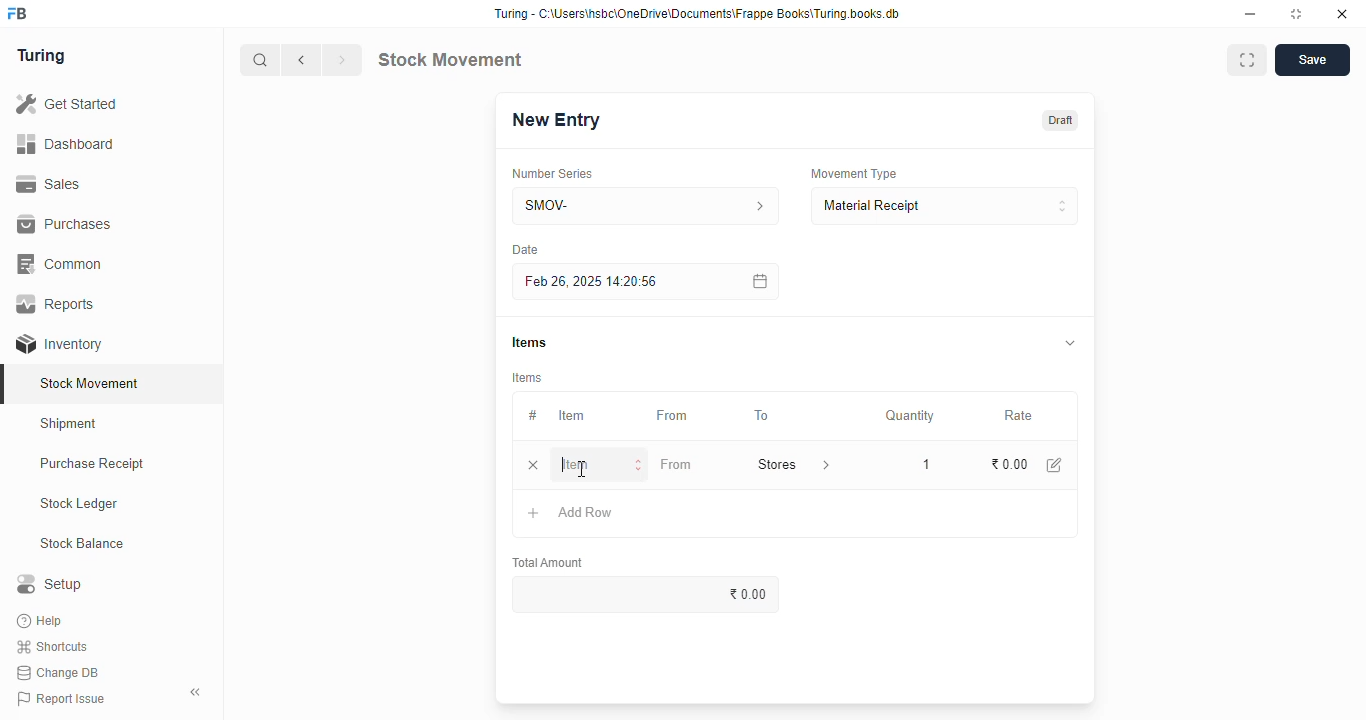 This screenshot has width=1366, height=720. What do you see at coordinates (944, 206) in the screenshot?
I see `material receipt` at bounding box center [944, 206].